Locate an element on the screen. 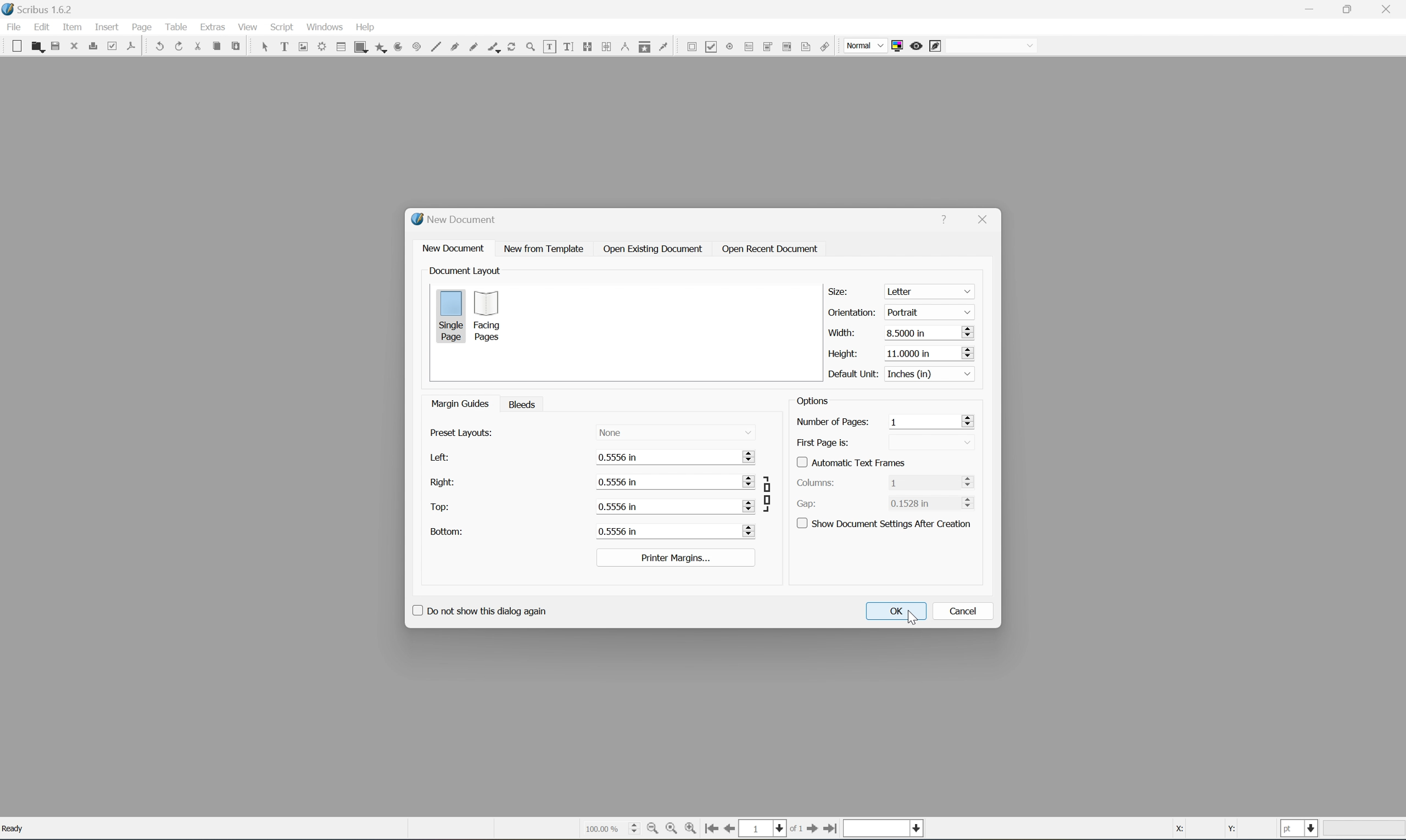  Scribus 1.6.2 is located at coordinates (41, 10).